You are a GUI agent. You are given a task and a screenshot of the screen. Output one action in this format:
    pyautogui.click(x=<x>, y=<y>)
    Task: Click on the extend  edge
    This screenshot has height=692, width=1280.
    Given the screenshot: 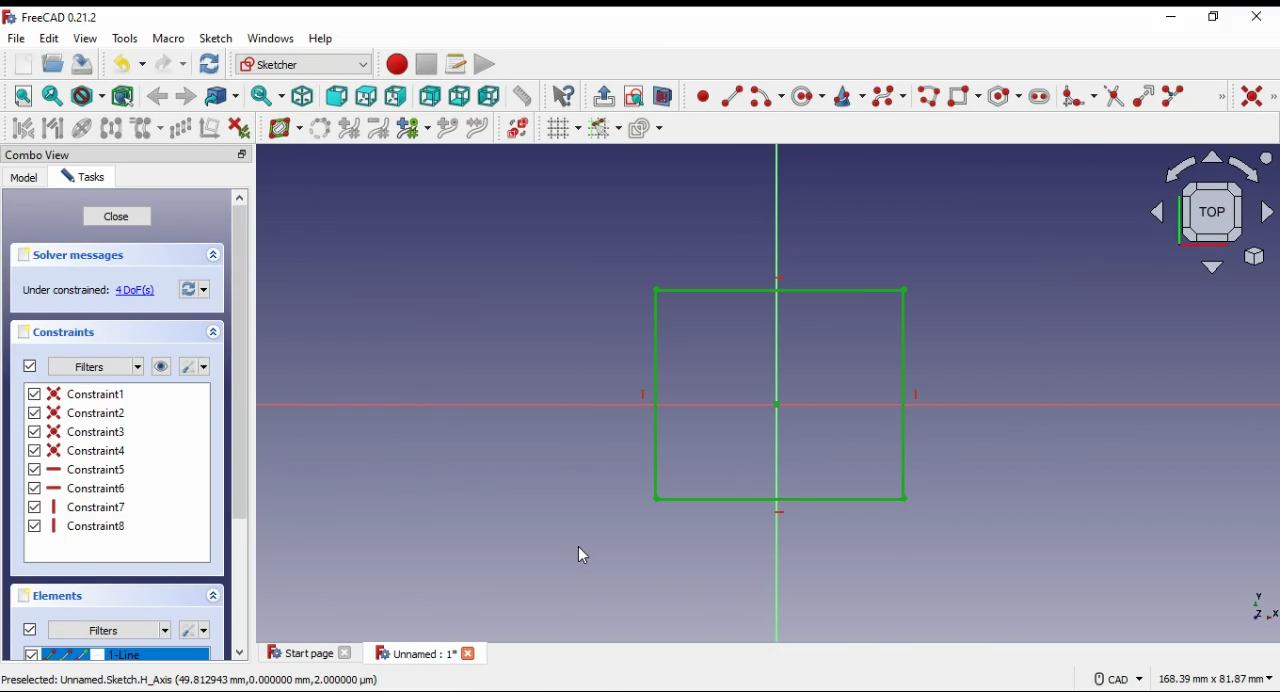 What is the action you would take?
    pyautogui.click(x=1143, y=95)
    